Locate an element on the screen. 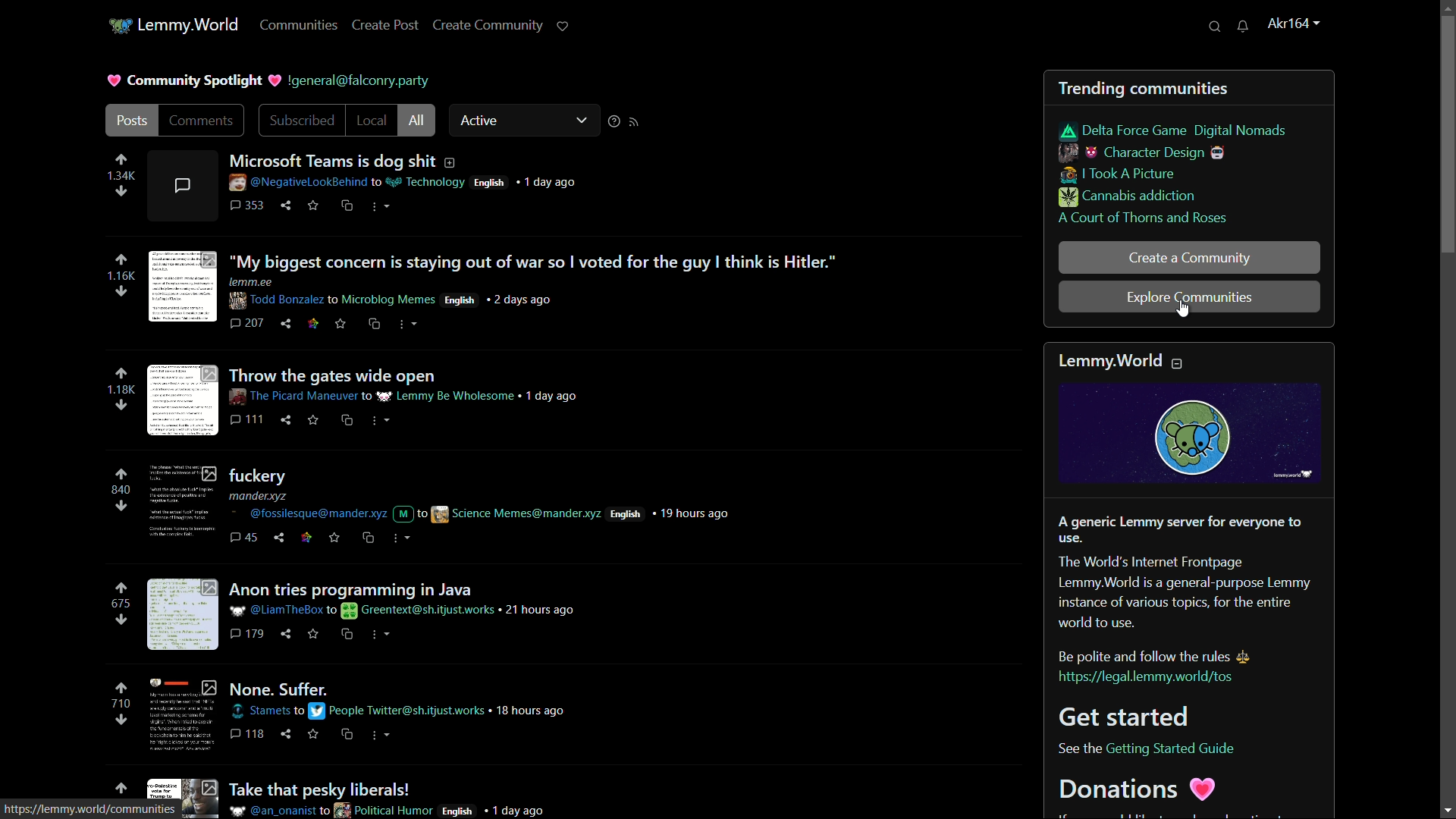 This screenshot has height=819, width=1456. comments is located at coordinates (246, 632).